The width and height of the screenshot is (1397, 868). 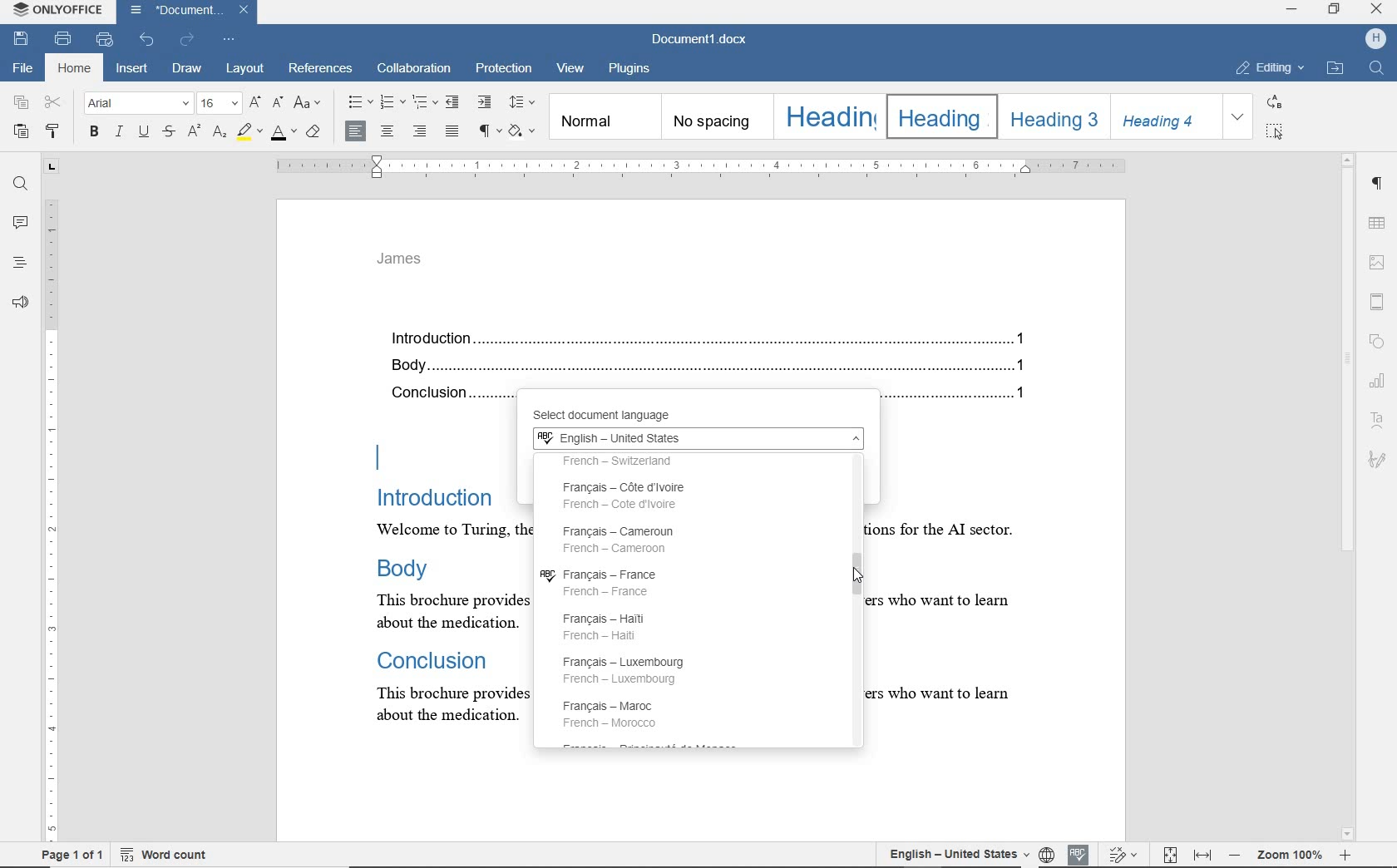 What do you see at coordinates (1051, 116) in the screenshot?
I see `Heading 3` at bounding box center [1051, 116].